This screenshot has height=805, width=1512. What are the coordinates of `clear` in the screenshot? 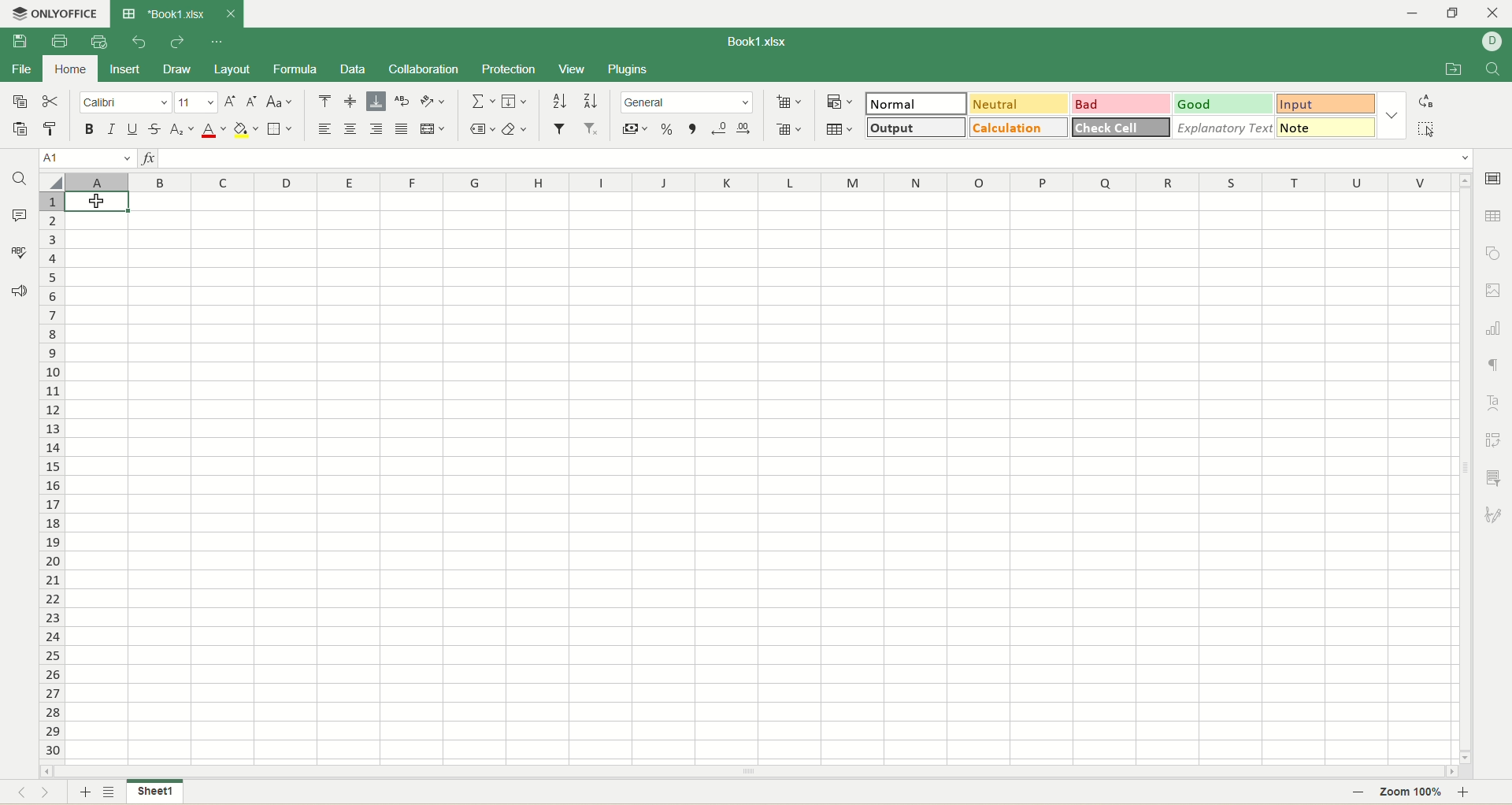 It's located at (514, 128).